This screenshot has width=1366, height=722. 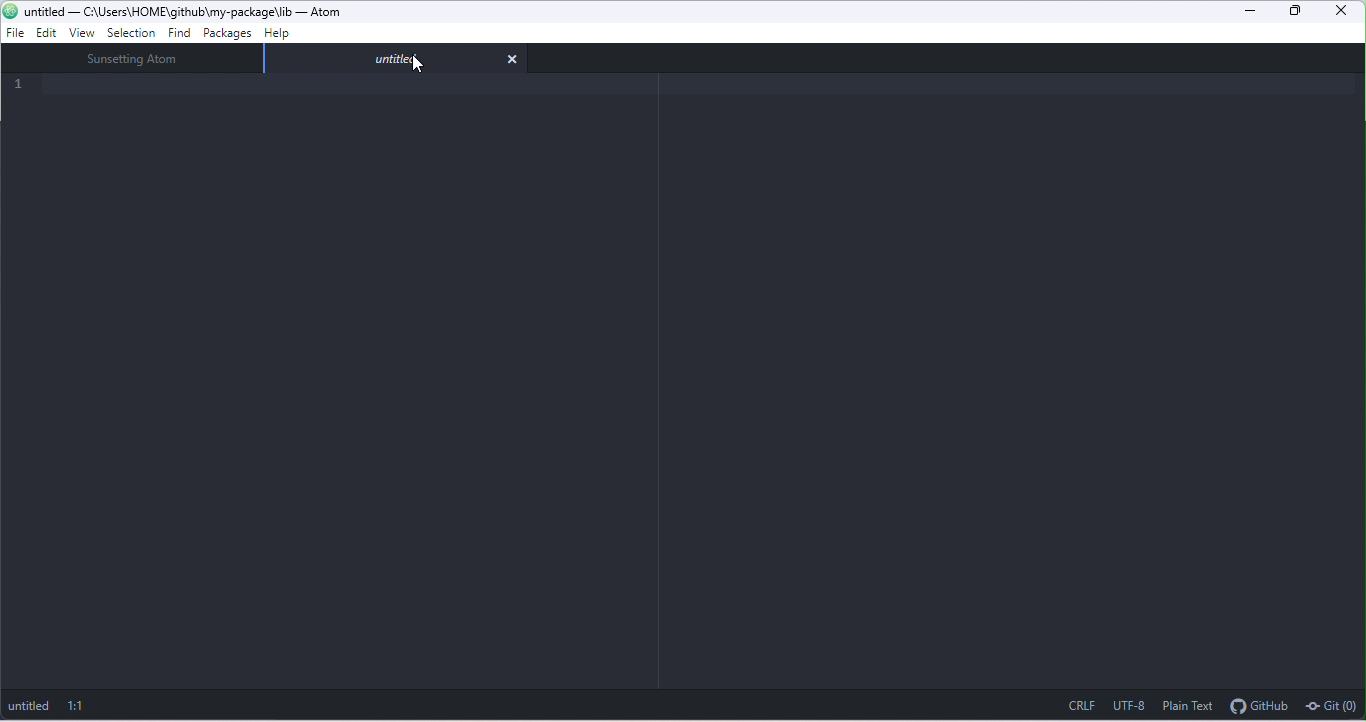 I want to click on cursor, so click(x=423, y=64).